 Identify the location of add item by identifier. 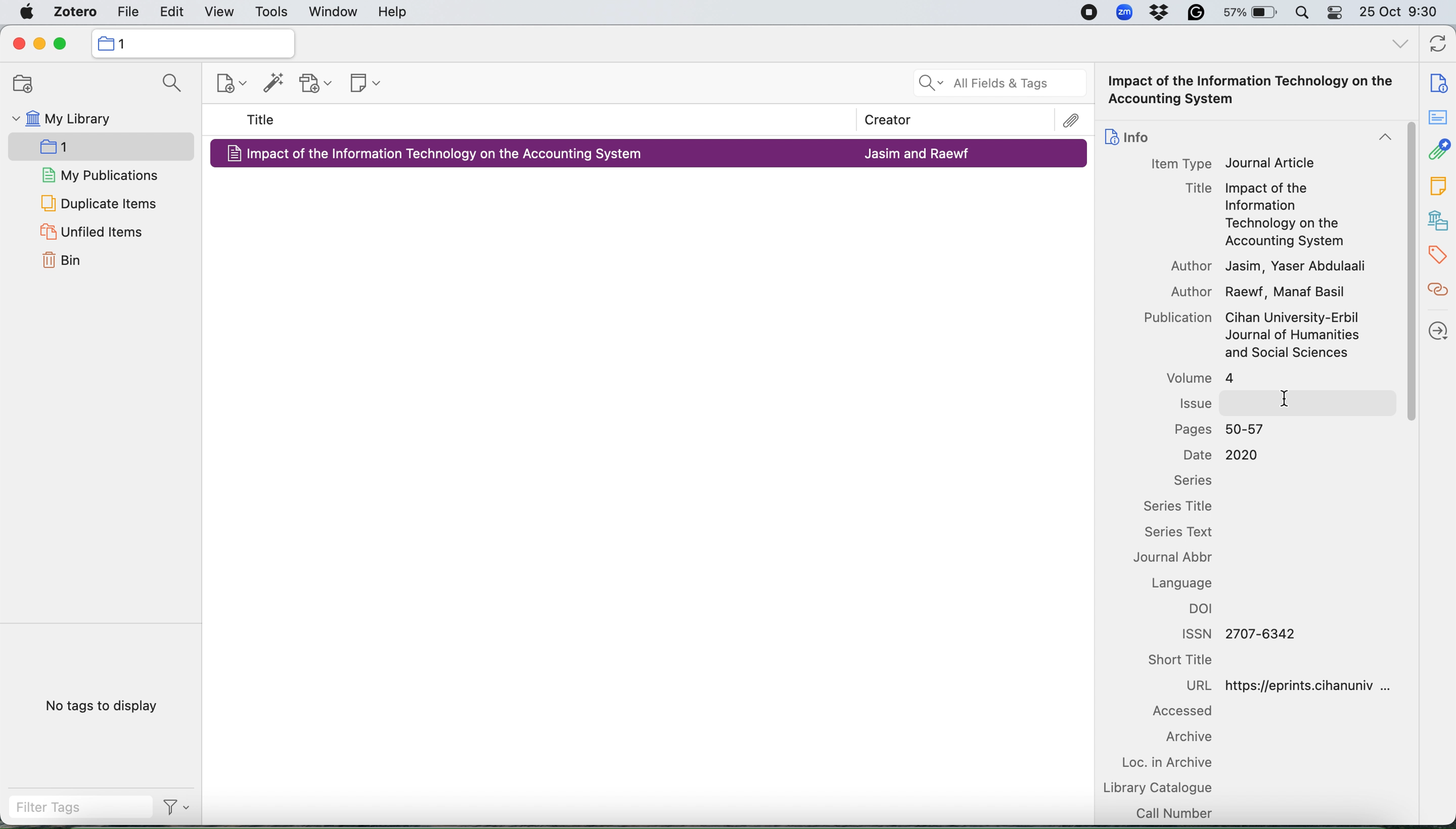
(273, 84).